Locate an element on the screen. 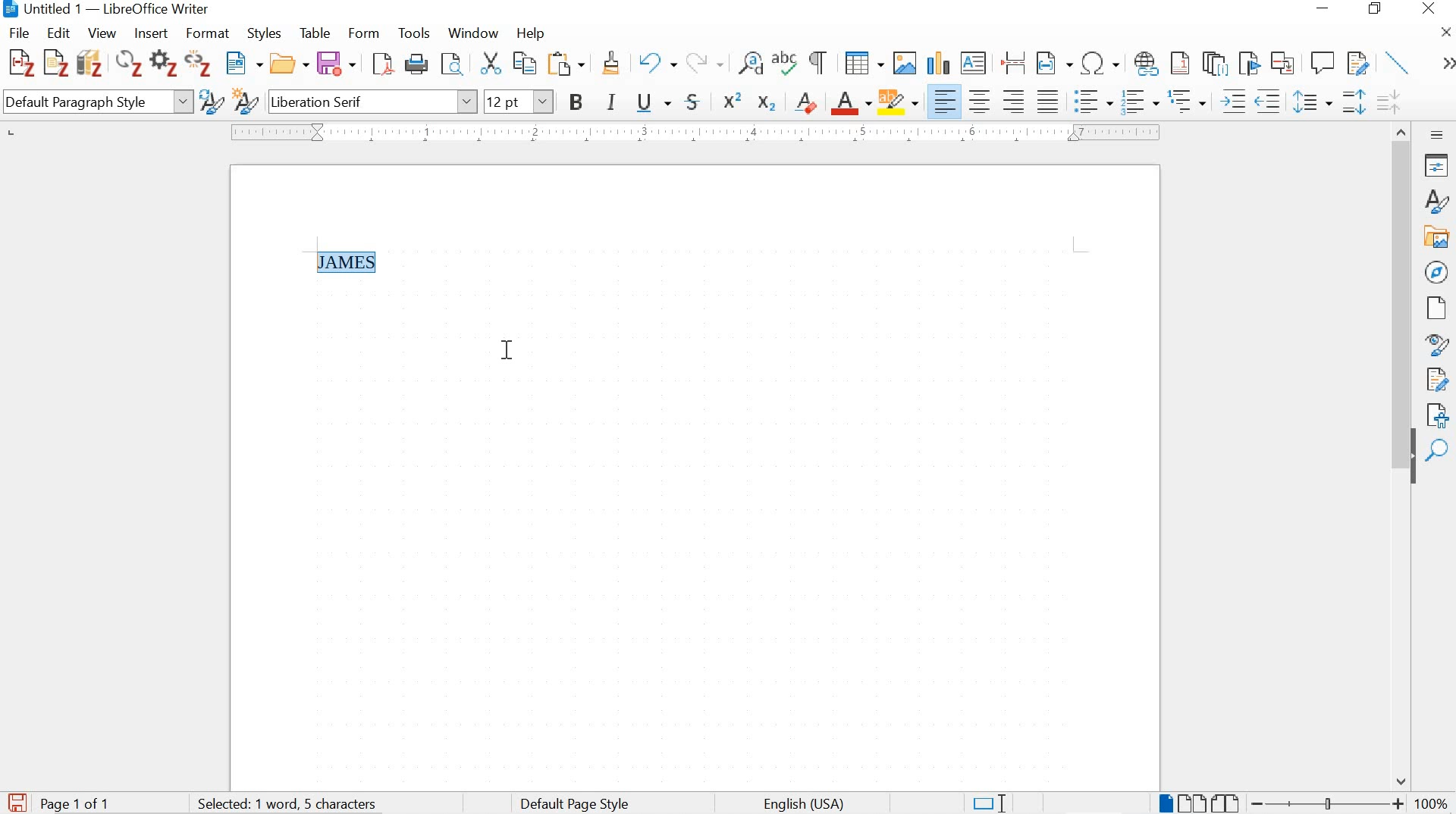  save as pdf is located at coordinates (382, 65).